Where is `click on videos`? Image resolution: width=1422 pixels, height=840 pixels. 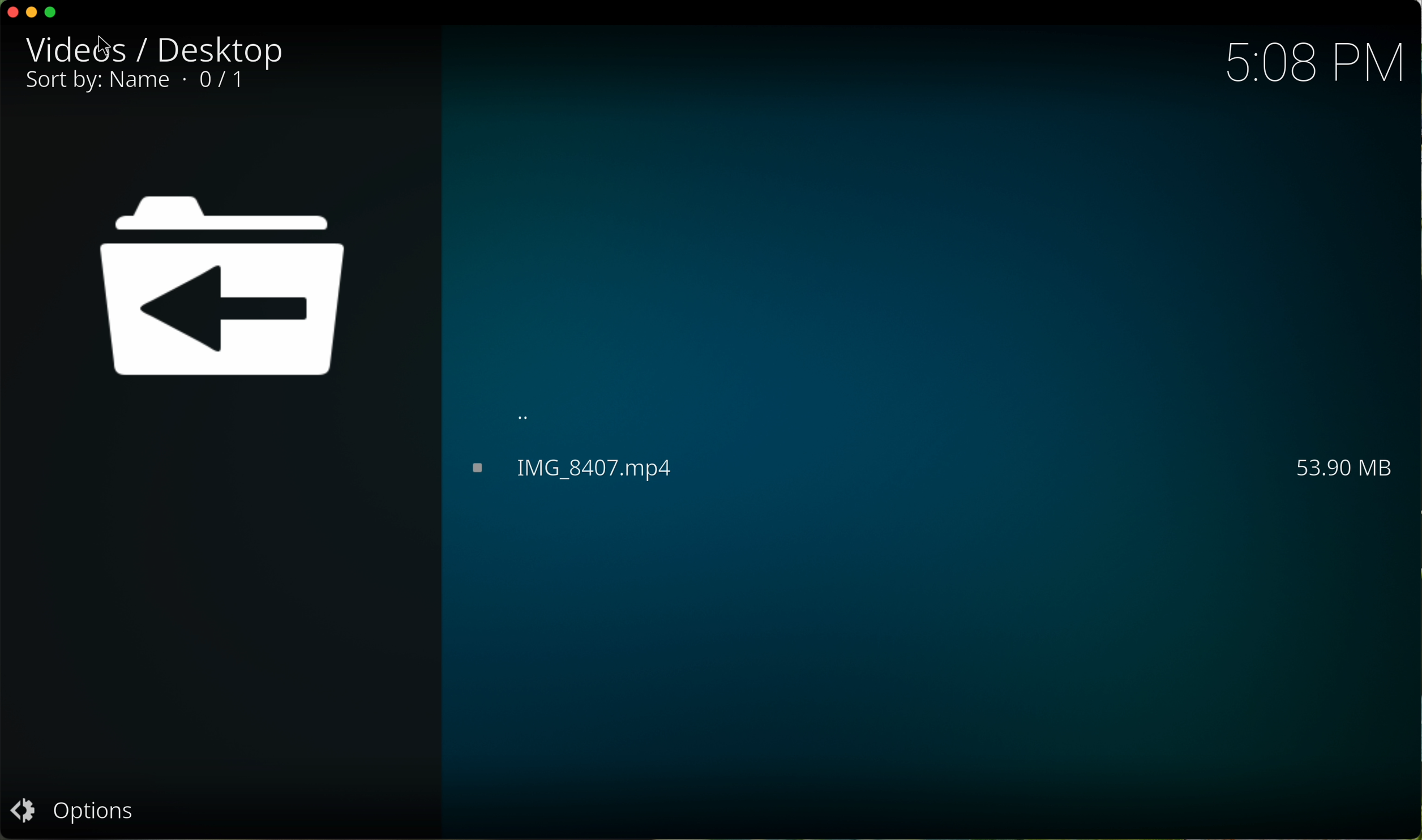 click on videos is located at coordinates (79, 49).